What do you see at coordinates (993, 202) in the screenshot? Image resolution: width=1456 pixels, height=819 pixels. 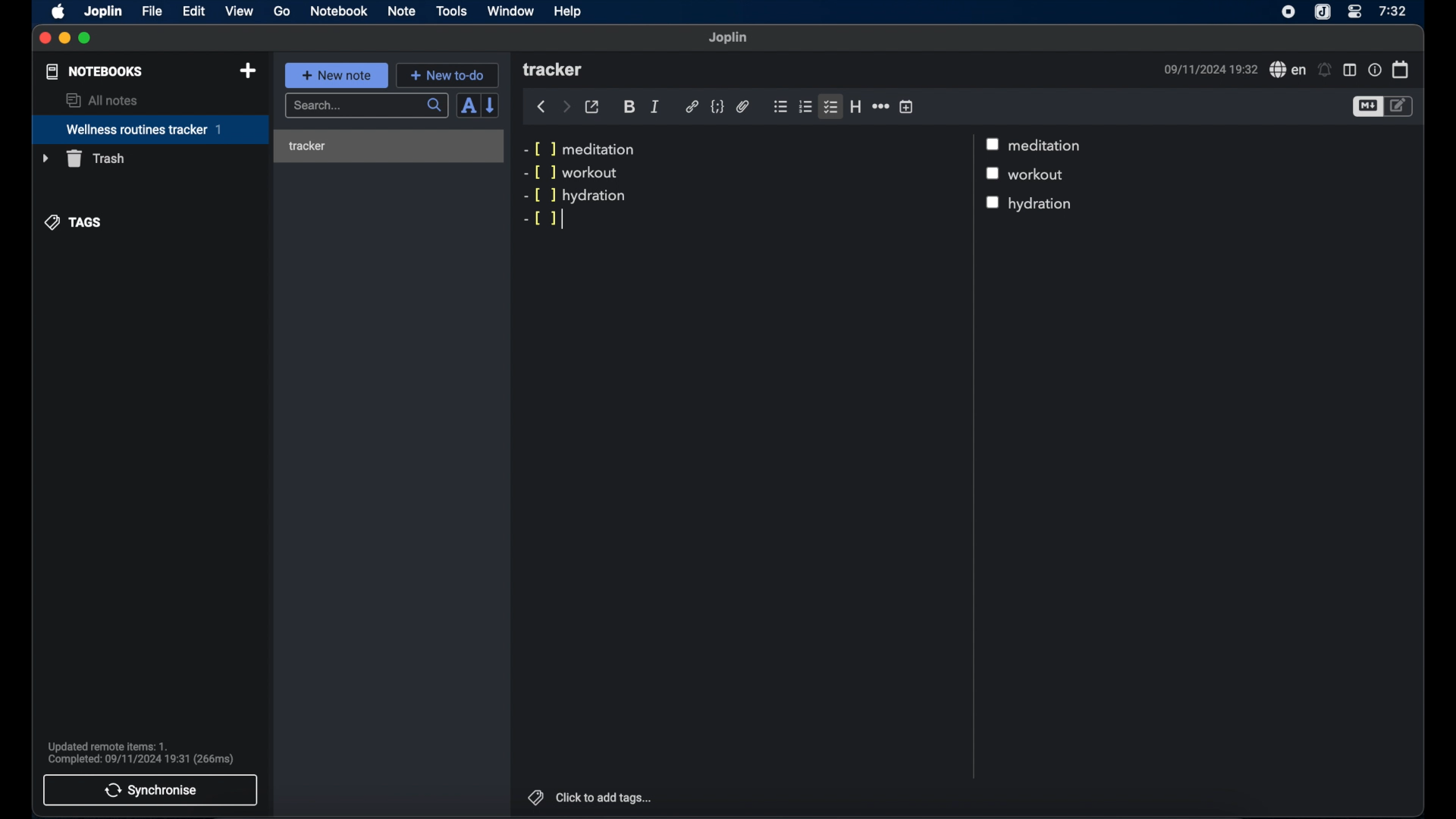 I see `Checkbox` at bounding box center [993, 202].